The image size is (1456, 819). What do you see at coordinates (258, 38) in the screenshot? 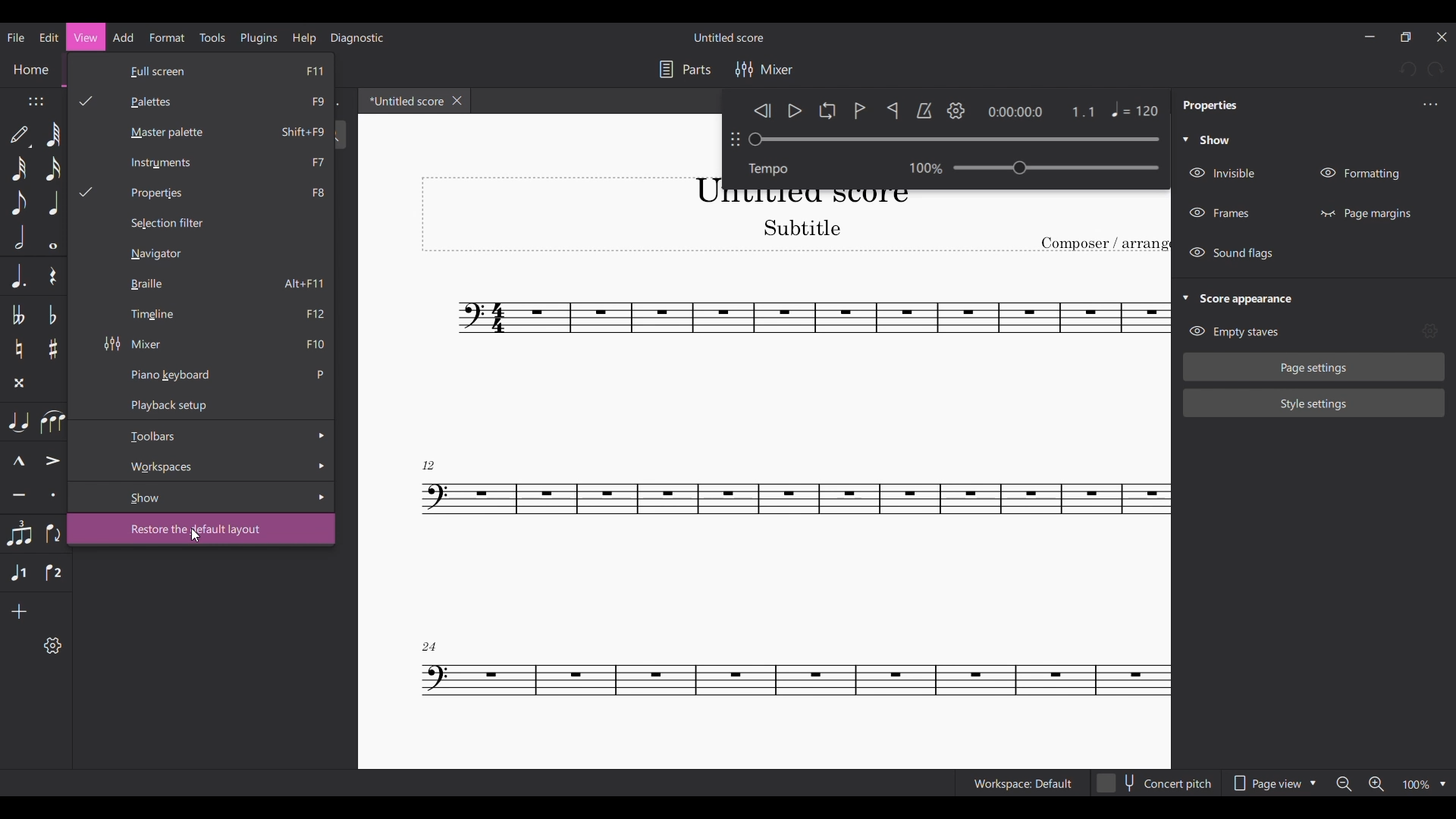
I see `Plugins` at bounding box center [258, 38].